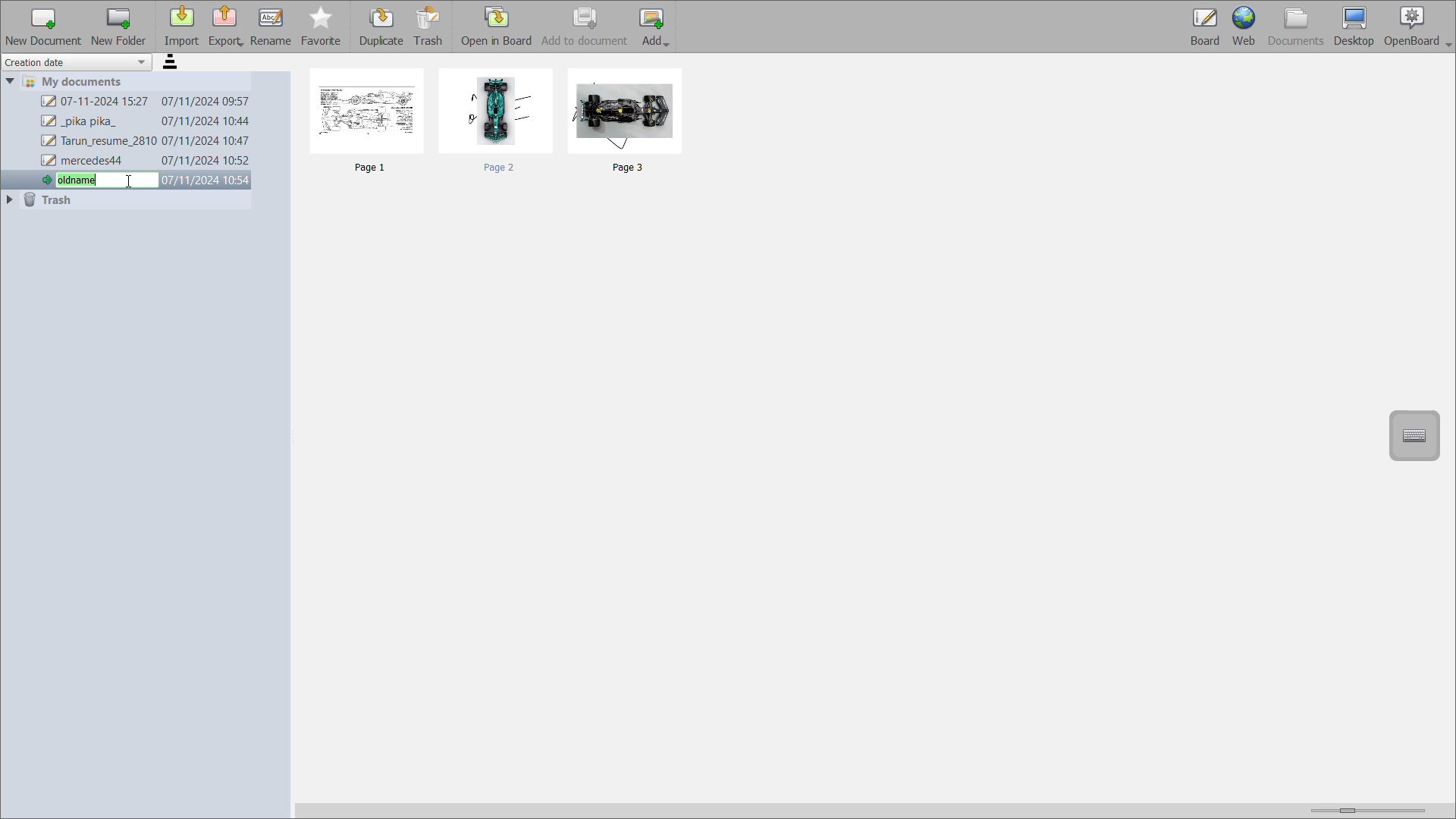 The width and height of the screenshot is (1456, 819). I want to click on add to document, so click(586, 27).